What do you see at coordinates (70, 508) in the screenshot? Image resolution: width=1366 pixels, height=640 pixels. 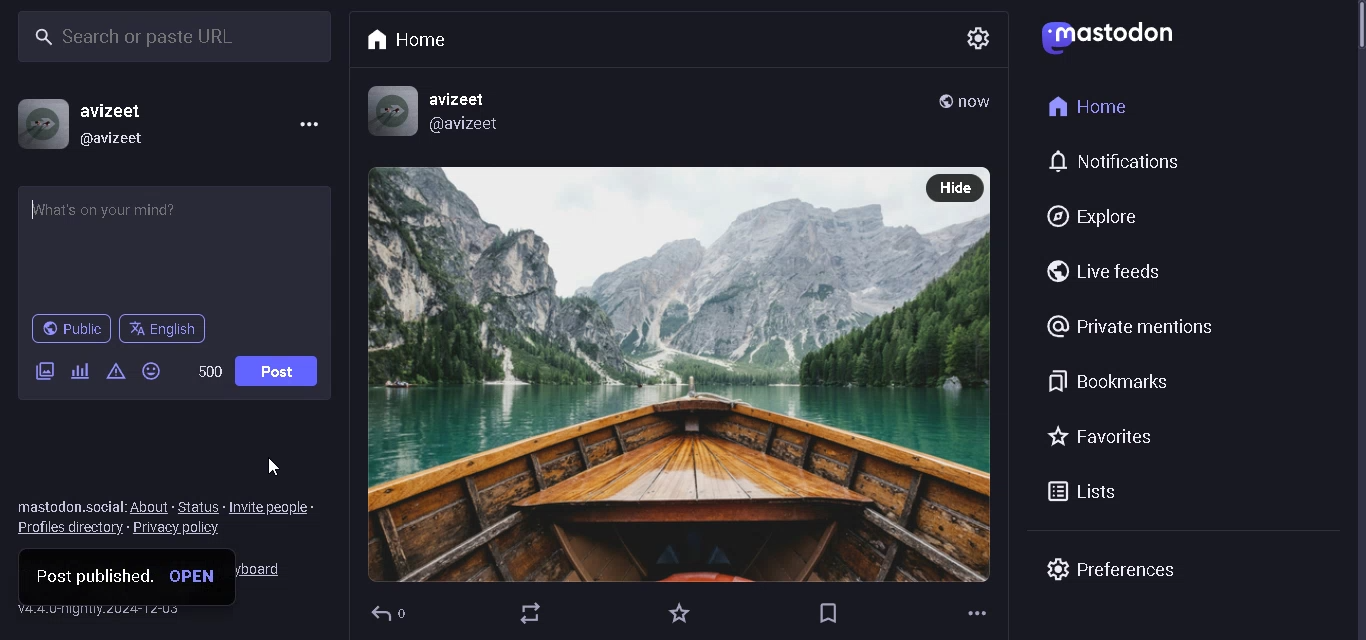 I see `text` at bounding box center [70, 508].